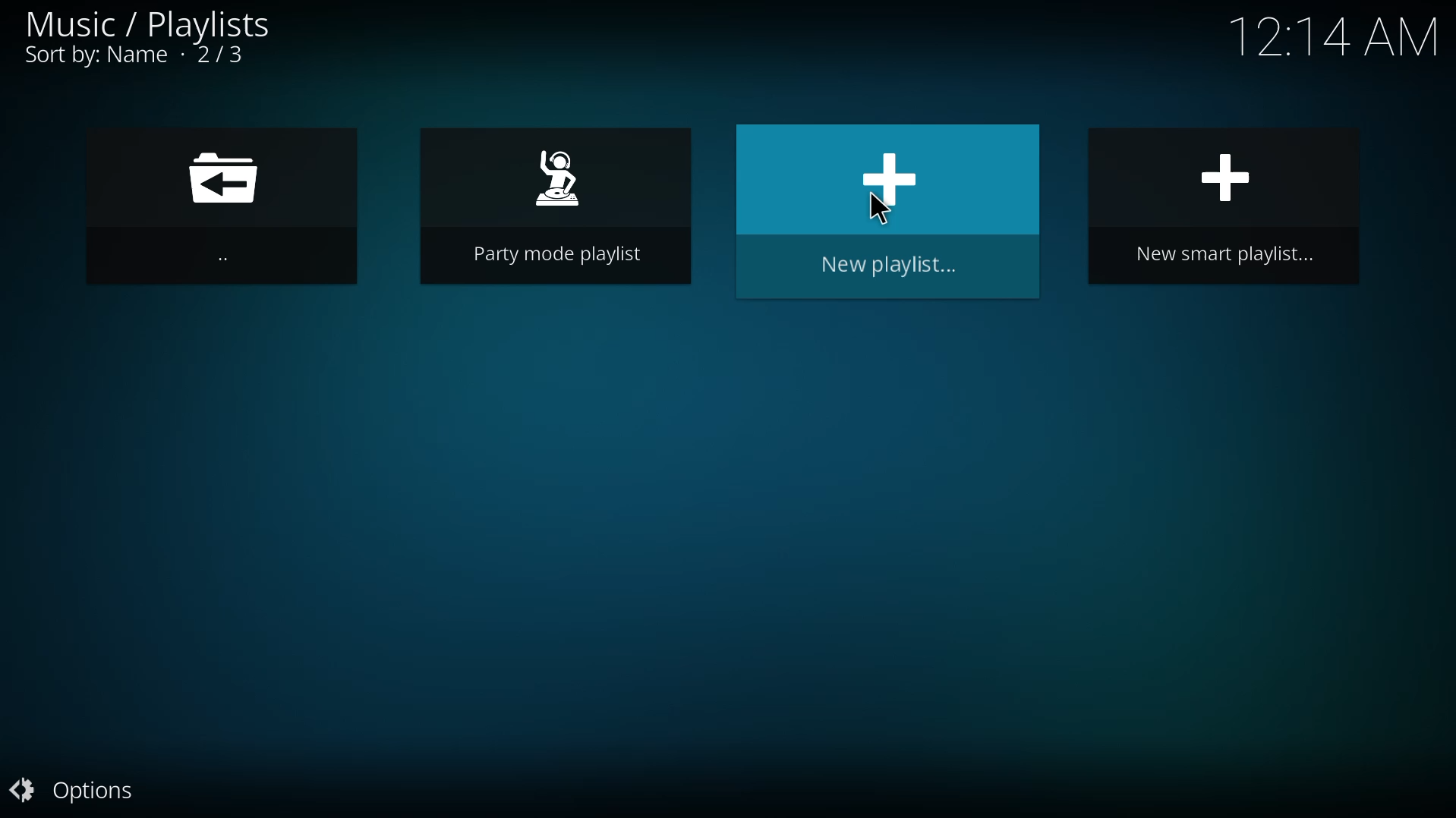 This screenshot has height=818, width=1456. I want to click on time, so click(1335, 36).